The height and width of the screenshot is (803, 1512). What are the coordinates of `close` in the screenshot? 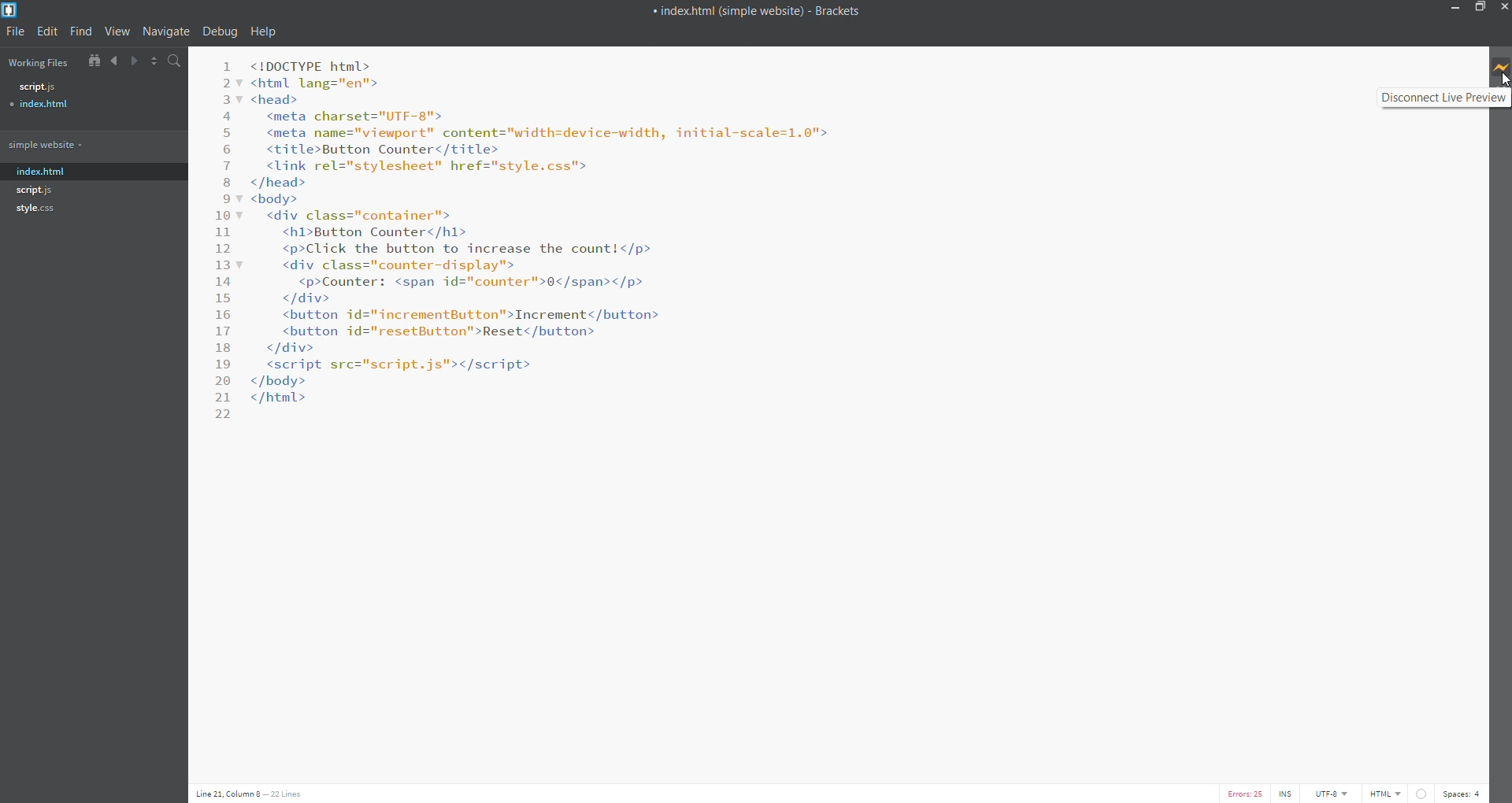 It's located at (1503, 9).